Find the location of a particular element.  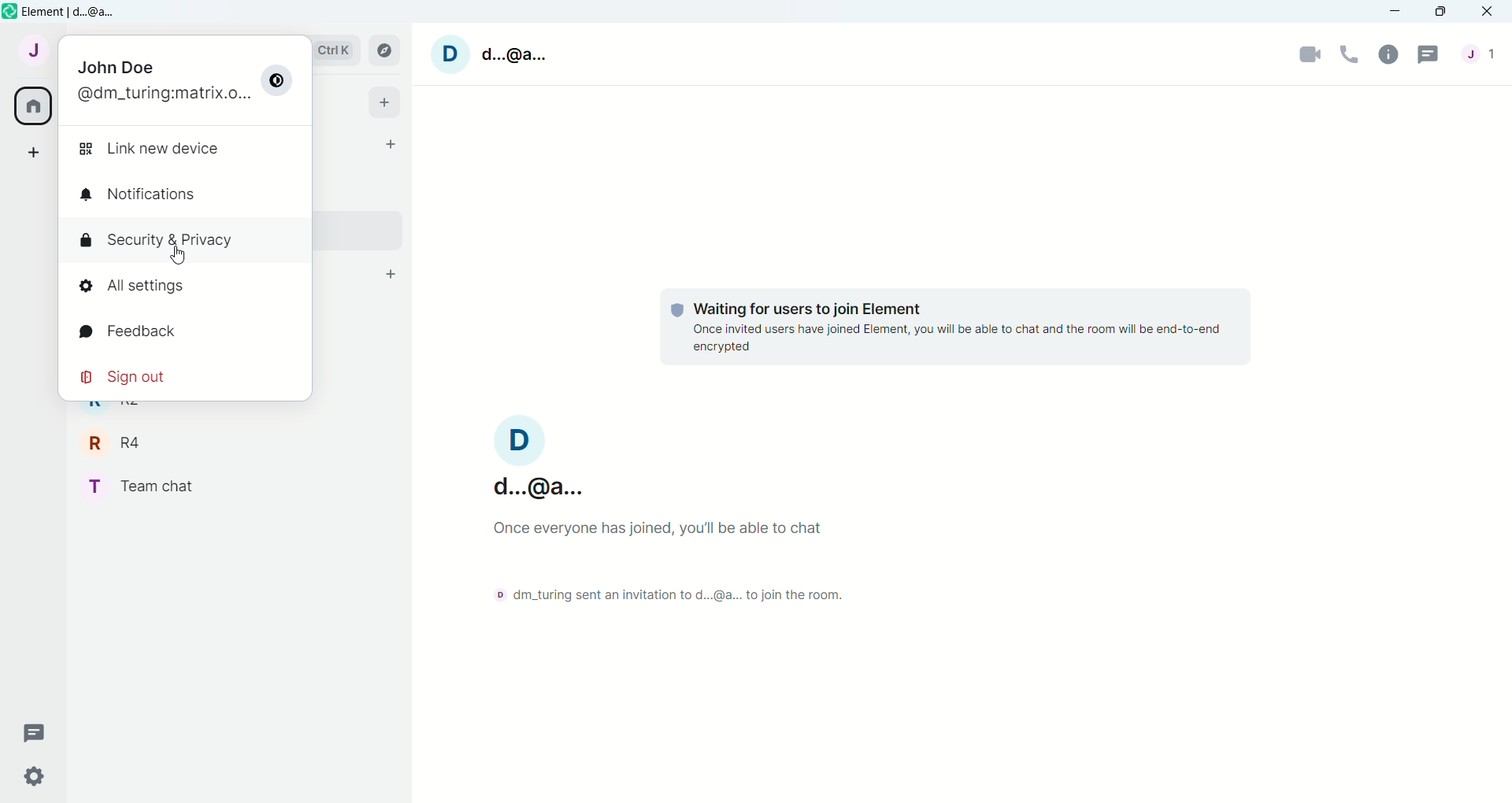

add is located at coordinates (35, 150).